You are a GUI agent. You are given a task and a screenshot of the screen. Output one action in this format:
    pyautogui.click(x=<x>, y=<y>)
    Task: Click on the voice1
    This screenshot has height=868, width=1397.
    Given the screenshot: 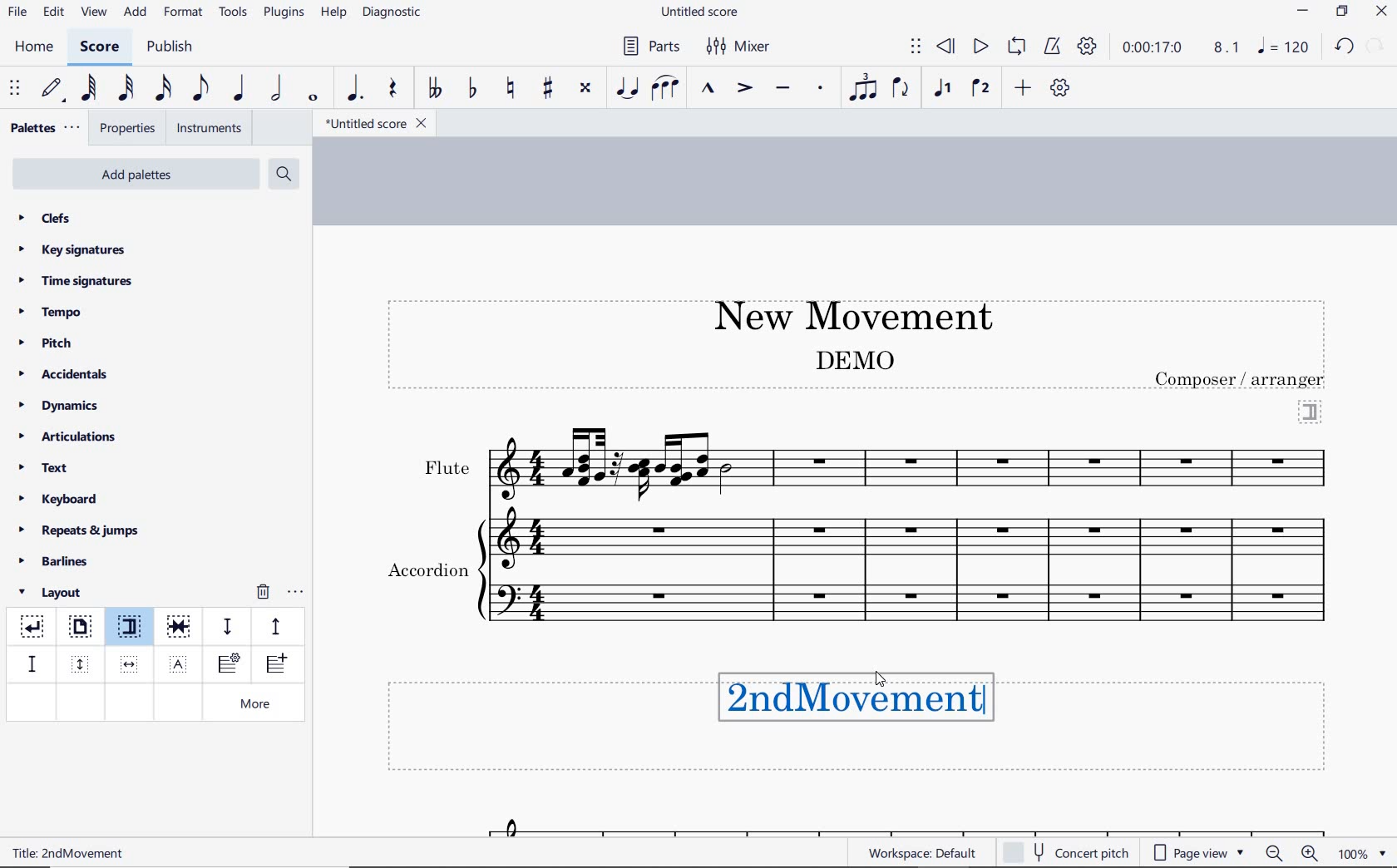 What is the action you would take?
    pyautogui.click(x=945, y=89)
    